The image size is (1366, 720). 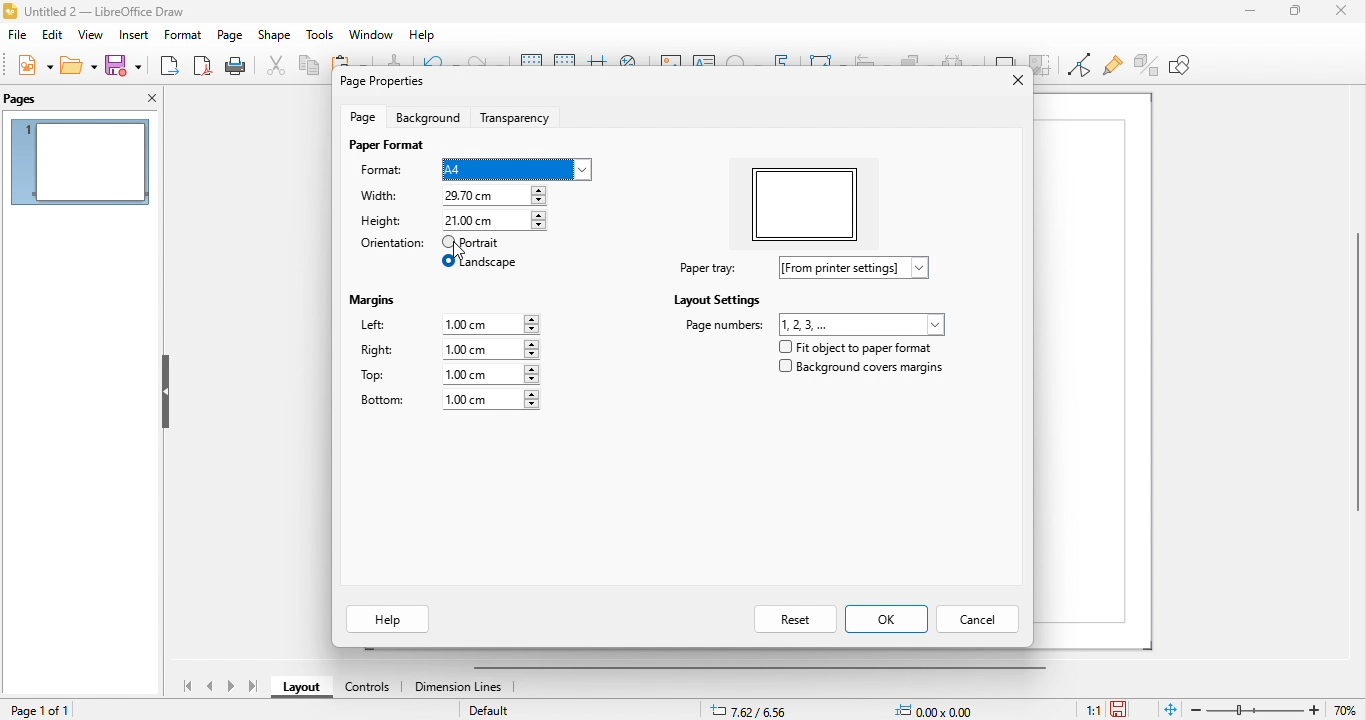 I want to click on arrange, so click(x=916, y=62).